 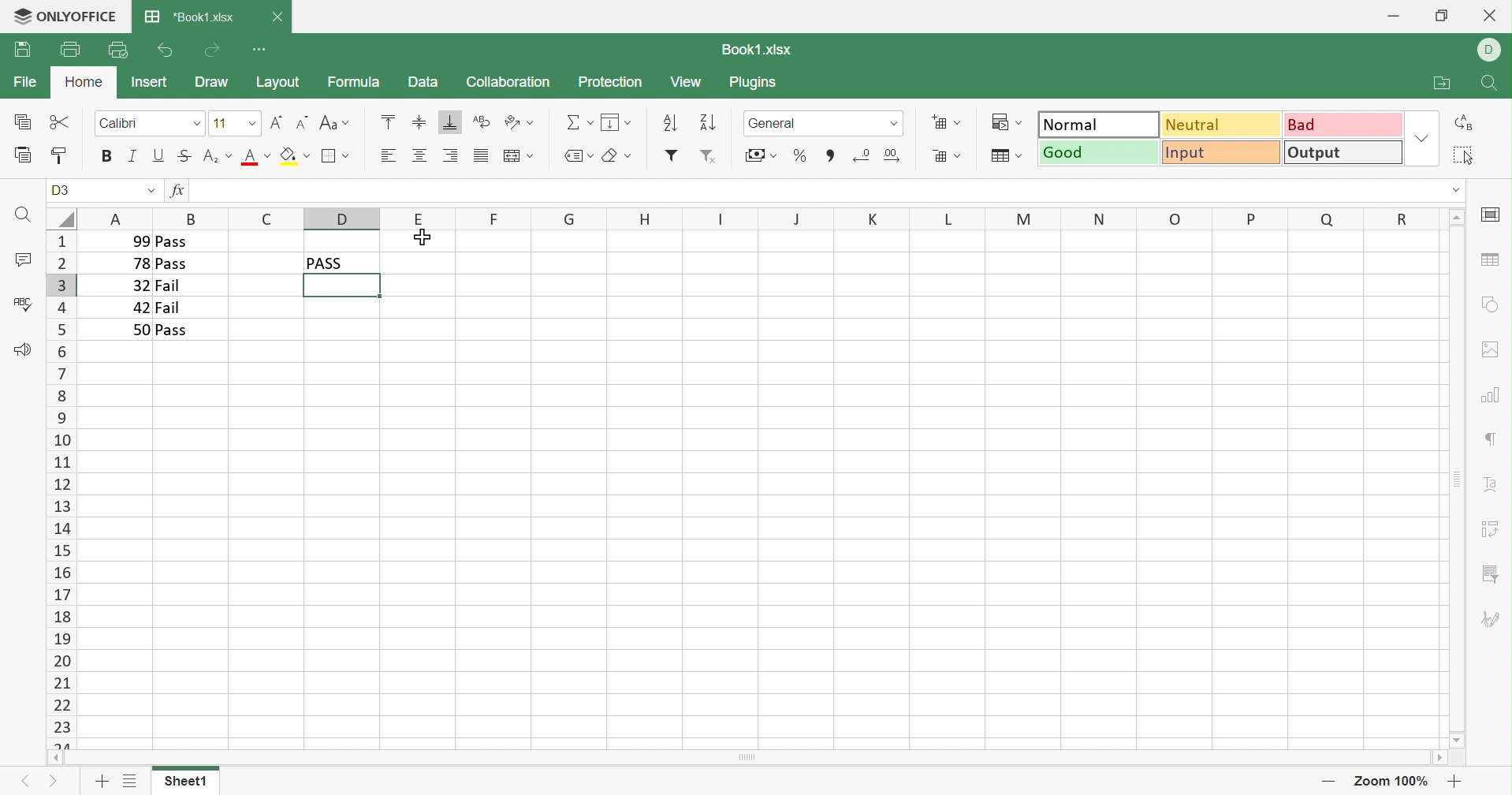 What do you see at coordinates (164, 51) in the screenshot?
I see `Undo` at bounding box center [164, 51].